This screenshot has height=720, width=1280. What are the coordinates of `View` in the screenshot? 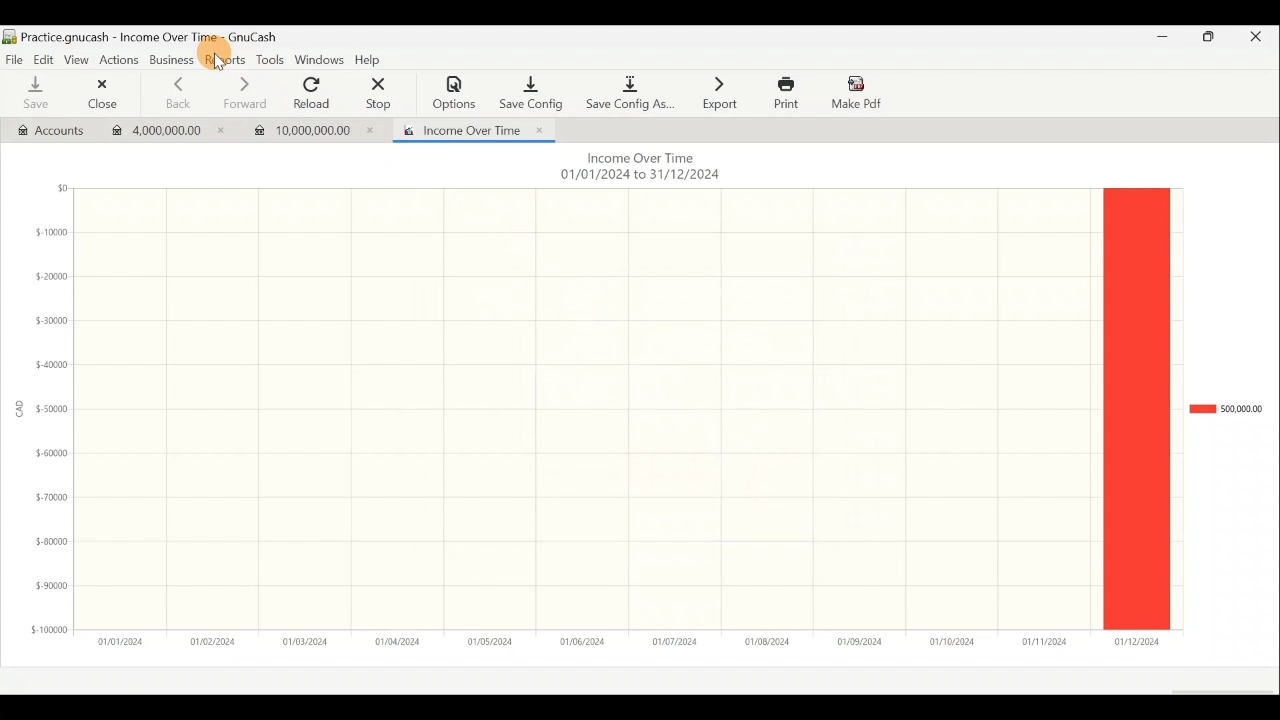 It's located at (75, 58).